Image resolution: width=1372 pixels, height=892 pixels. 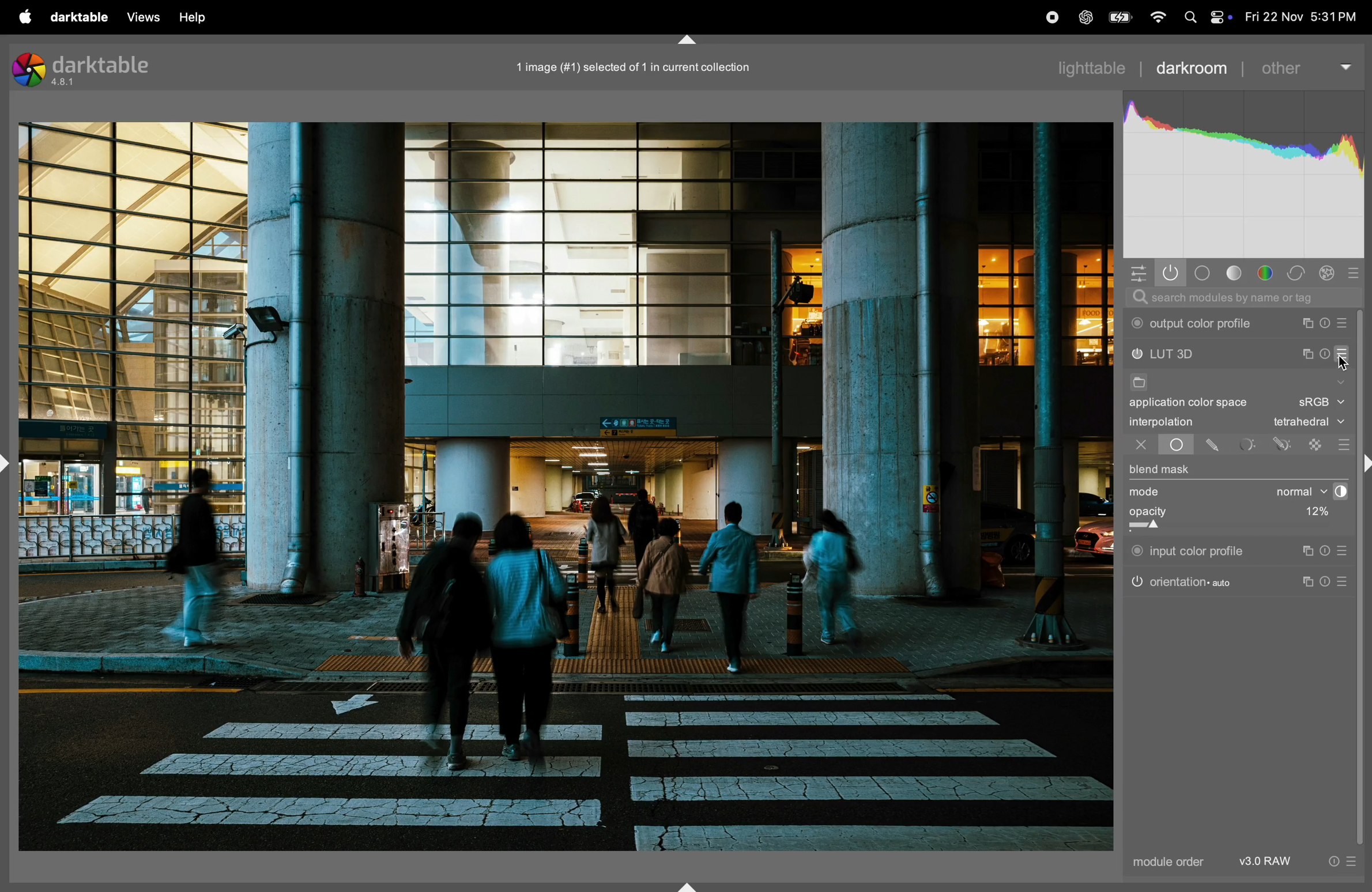 What do you see at coordinates (1310, 583) in the screenshot?
I see `instance` at bounding box center [1310, 583].